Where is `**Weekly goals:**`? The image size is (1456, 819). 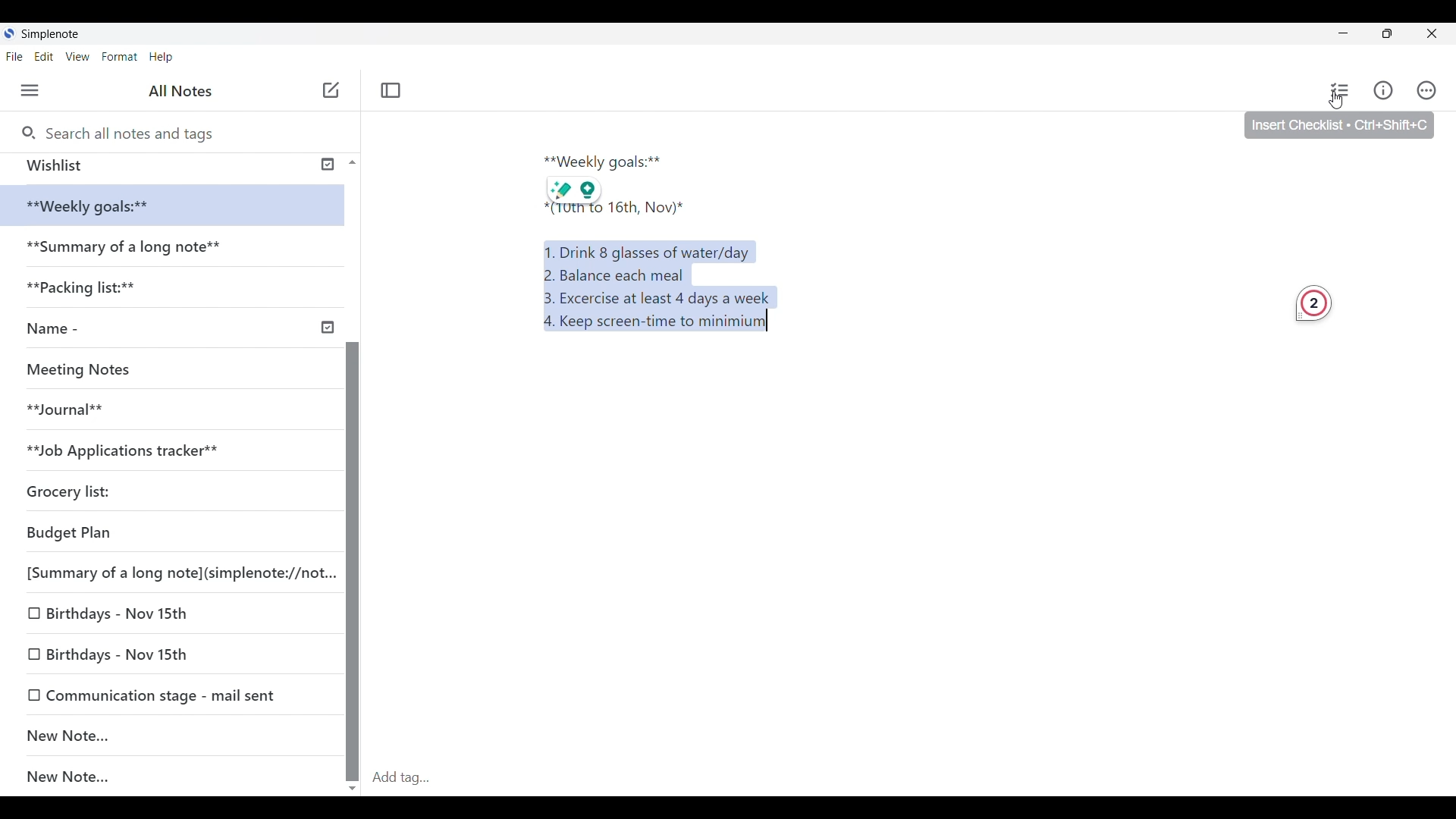 **Weekly goals:** is located at coordinates (609, 159).